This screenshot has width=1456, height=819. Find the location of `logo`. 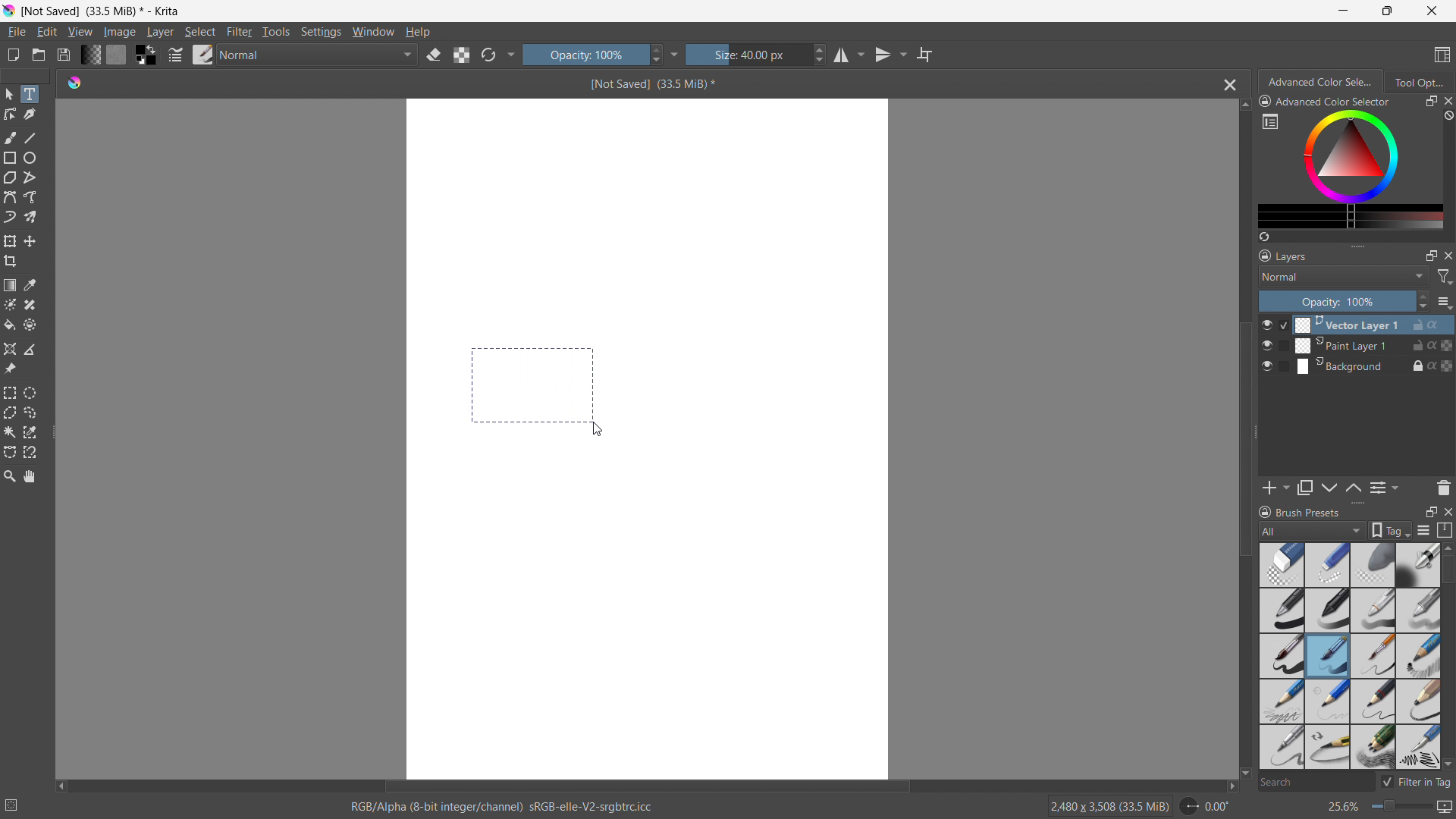

logo is located at coordinates (9, 11).